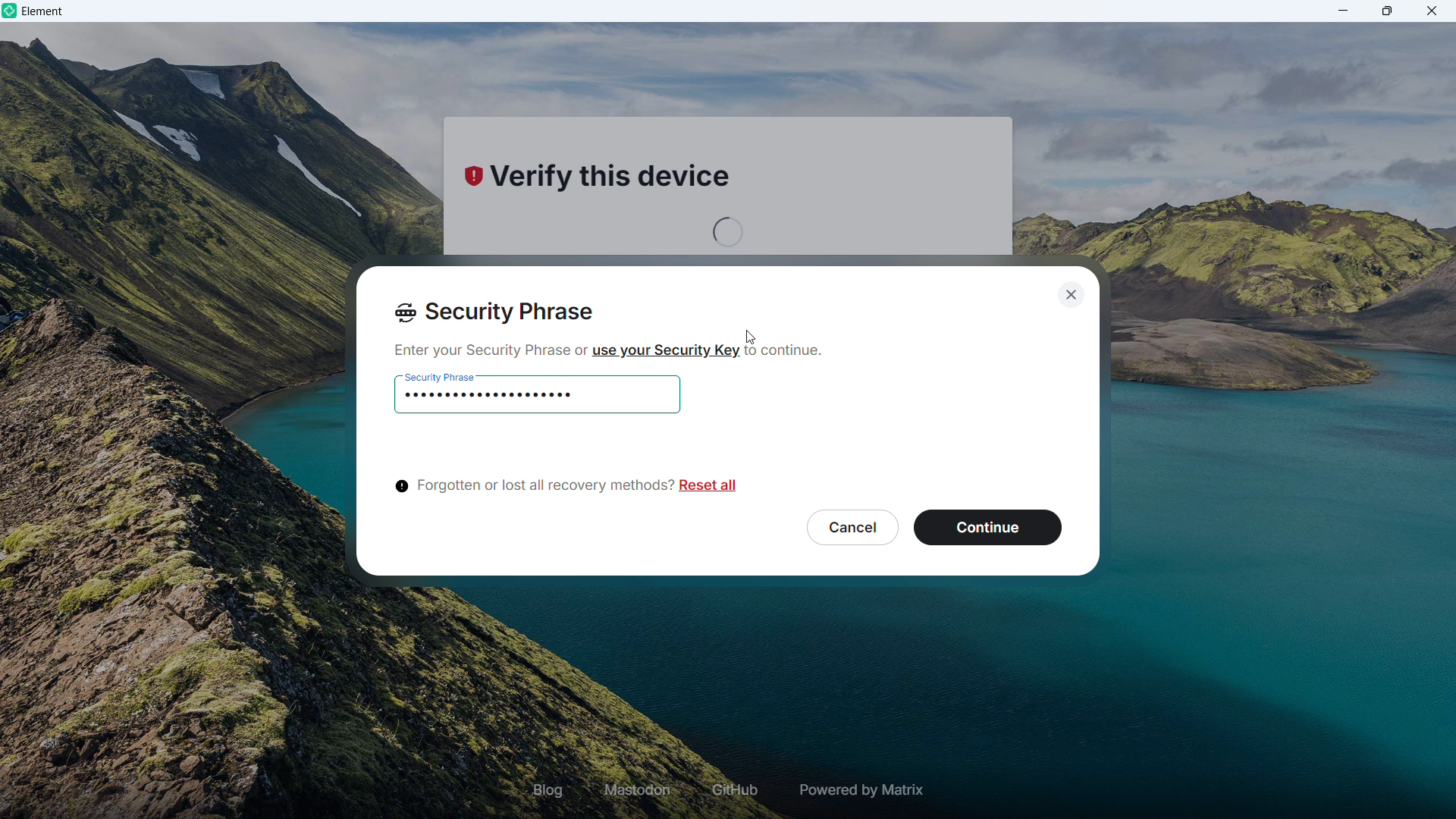 The height and width of the screenshot is (819, 1456). Describe the element at coordinates (732, 791) in the screenshot. I see `GIT hub ` at that location.